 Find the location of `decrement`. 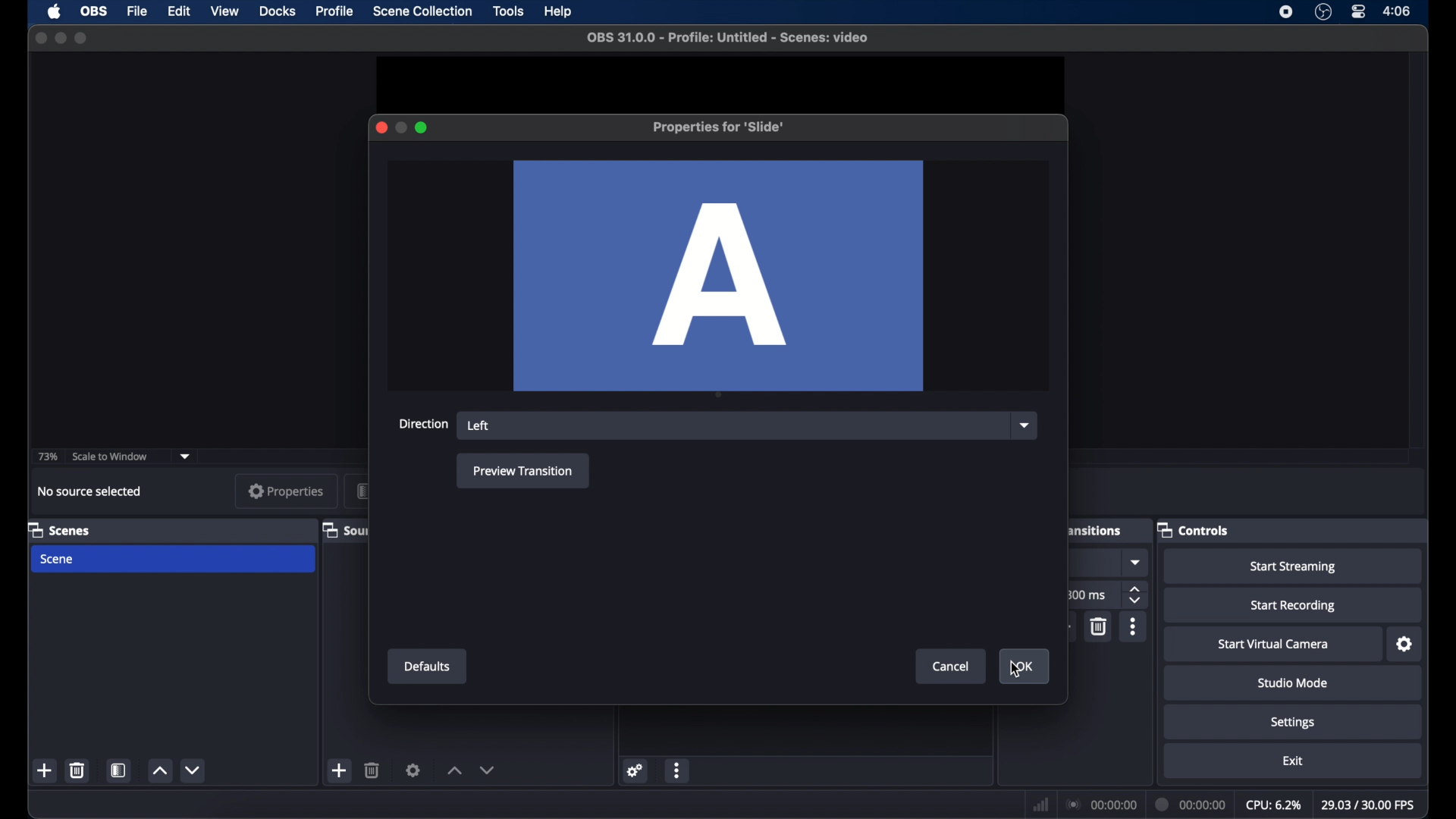

decrement is located at coordinates (194, 770).